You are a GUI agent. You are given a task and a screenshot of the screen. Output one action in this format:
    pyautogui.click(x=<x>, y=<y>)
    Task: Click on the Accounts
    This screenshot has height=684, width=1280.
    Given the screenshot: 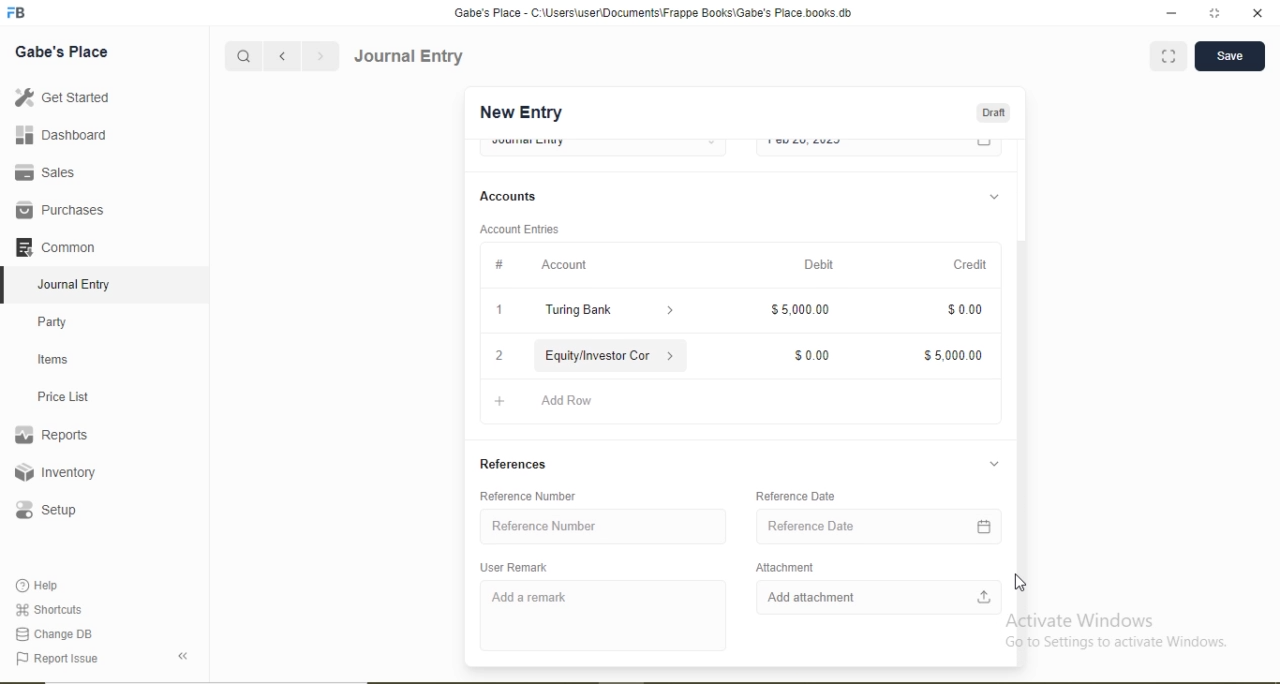 What is the action you would take?
    pyautogui.click(x=508, y=196)
    